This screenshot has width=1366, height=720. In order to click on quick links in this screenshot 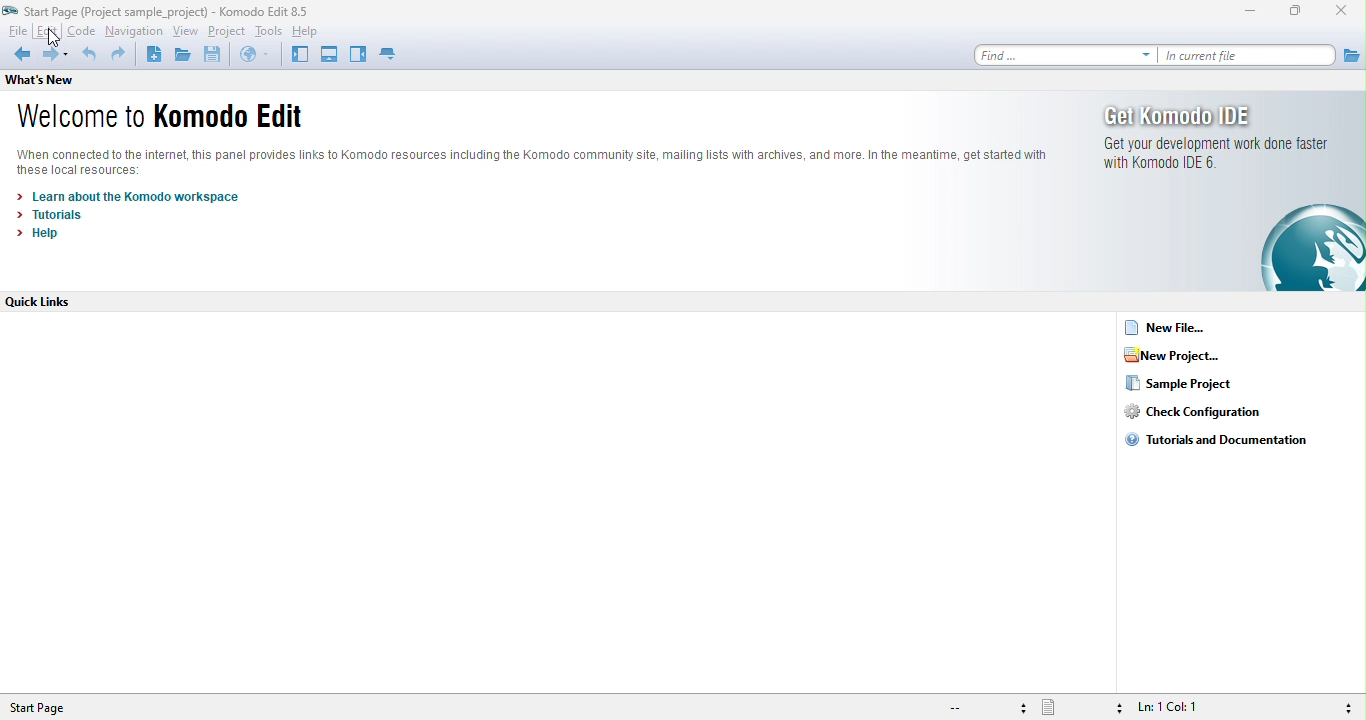, I will do `click(59, 300)`.